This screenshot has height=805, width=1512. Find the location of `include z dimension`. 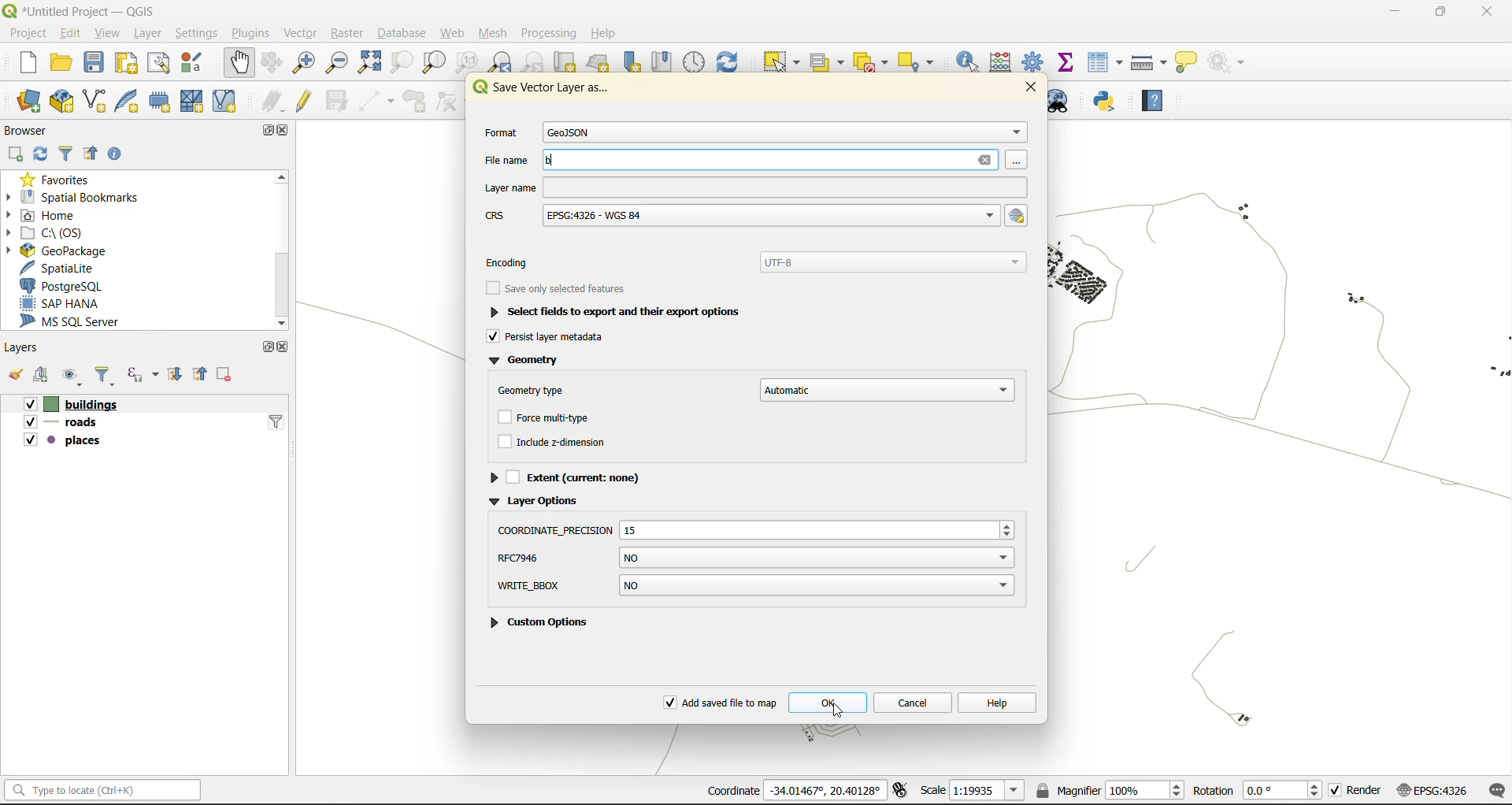

include z dimension is located at coordinates (554, 440).